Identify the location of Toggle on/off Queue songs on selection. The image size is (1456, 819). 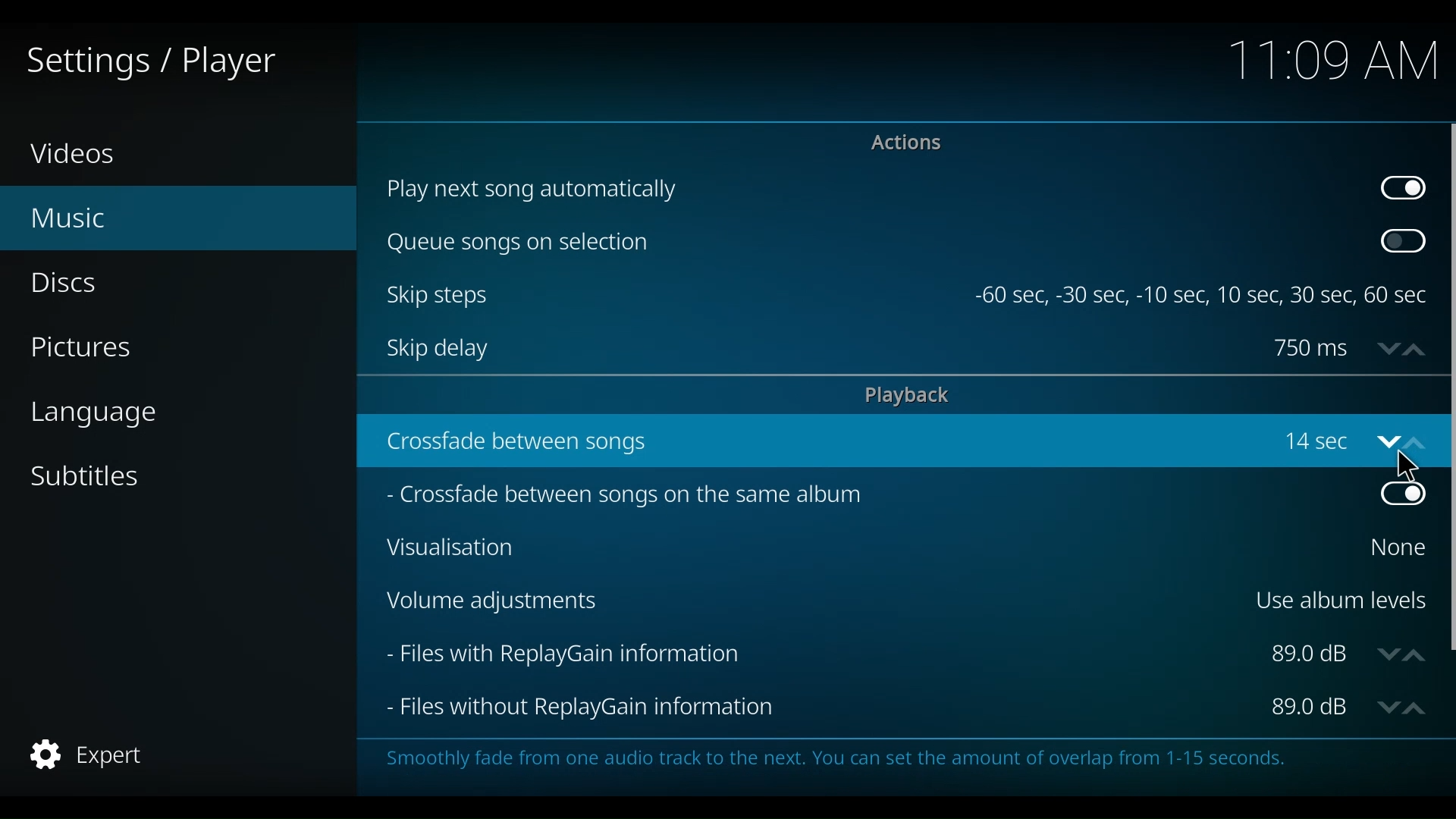
(1400, 242).